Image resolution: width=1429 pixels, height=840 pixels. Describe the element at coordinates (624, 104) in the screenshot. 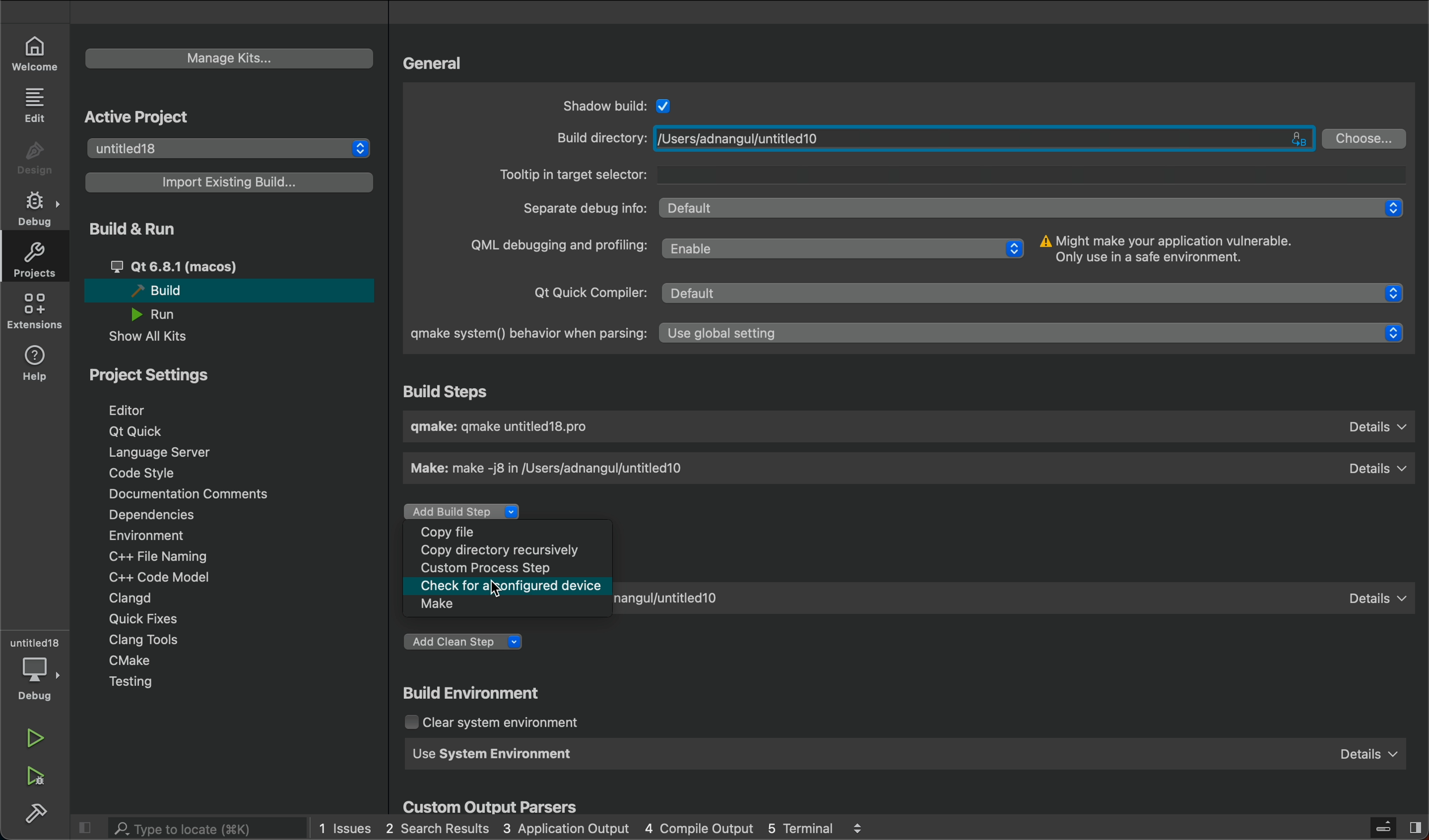

I see `shadow ` at that location.